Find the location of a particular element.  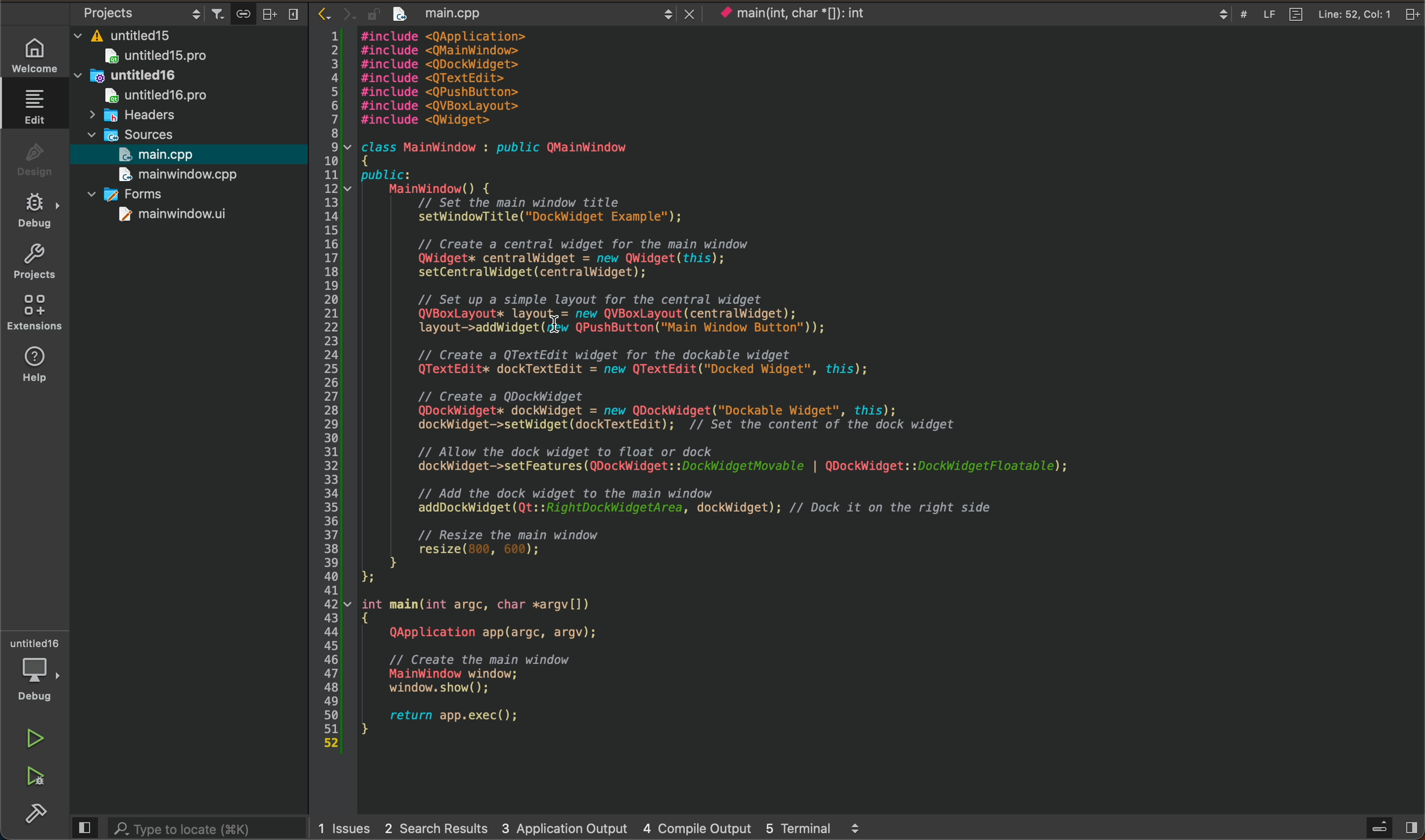

updated code is located at coordinates (785, 394).